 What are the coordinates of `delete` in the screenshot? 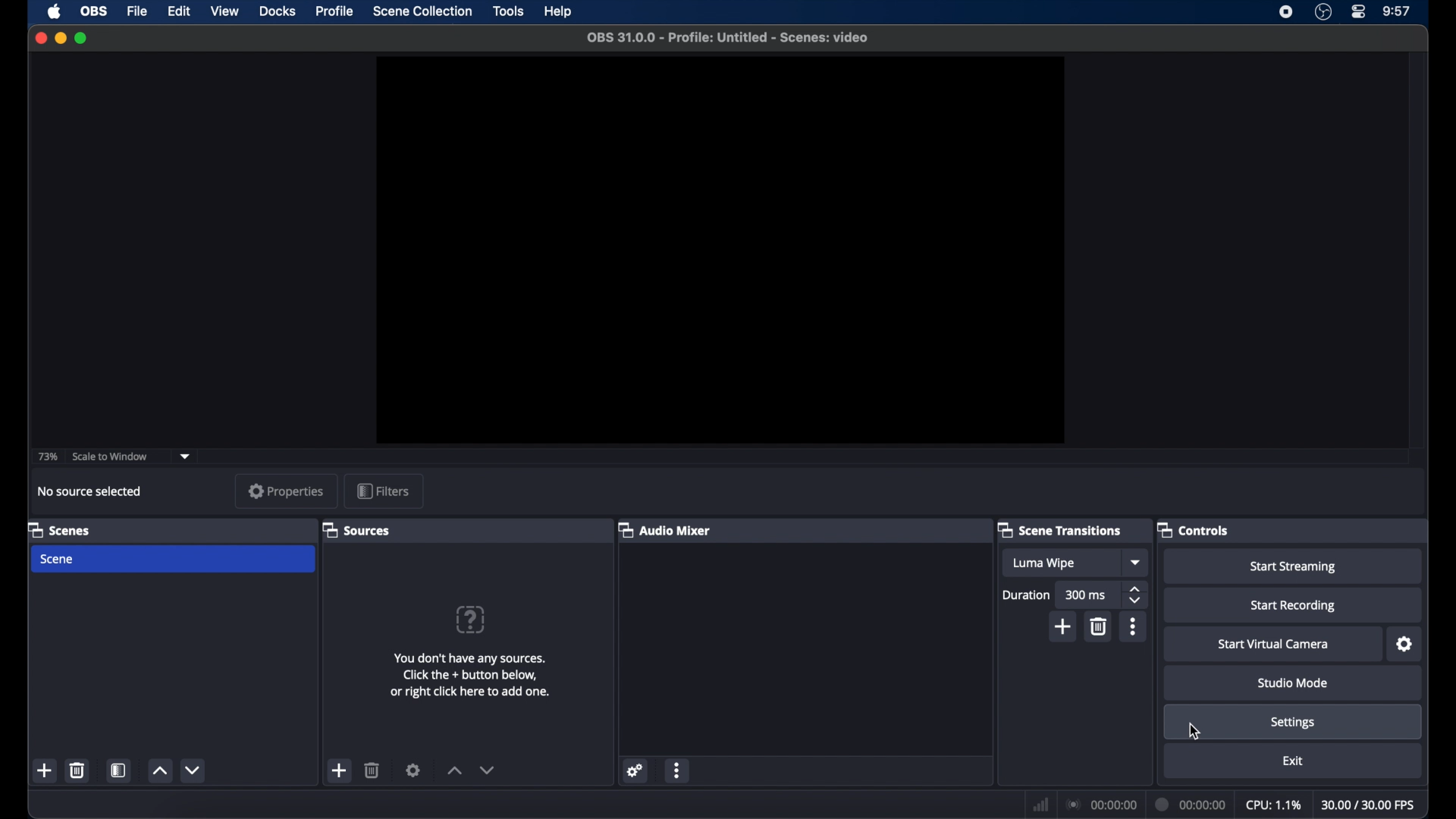 It's located at (373, 770).